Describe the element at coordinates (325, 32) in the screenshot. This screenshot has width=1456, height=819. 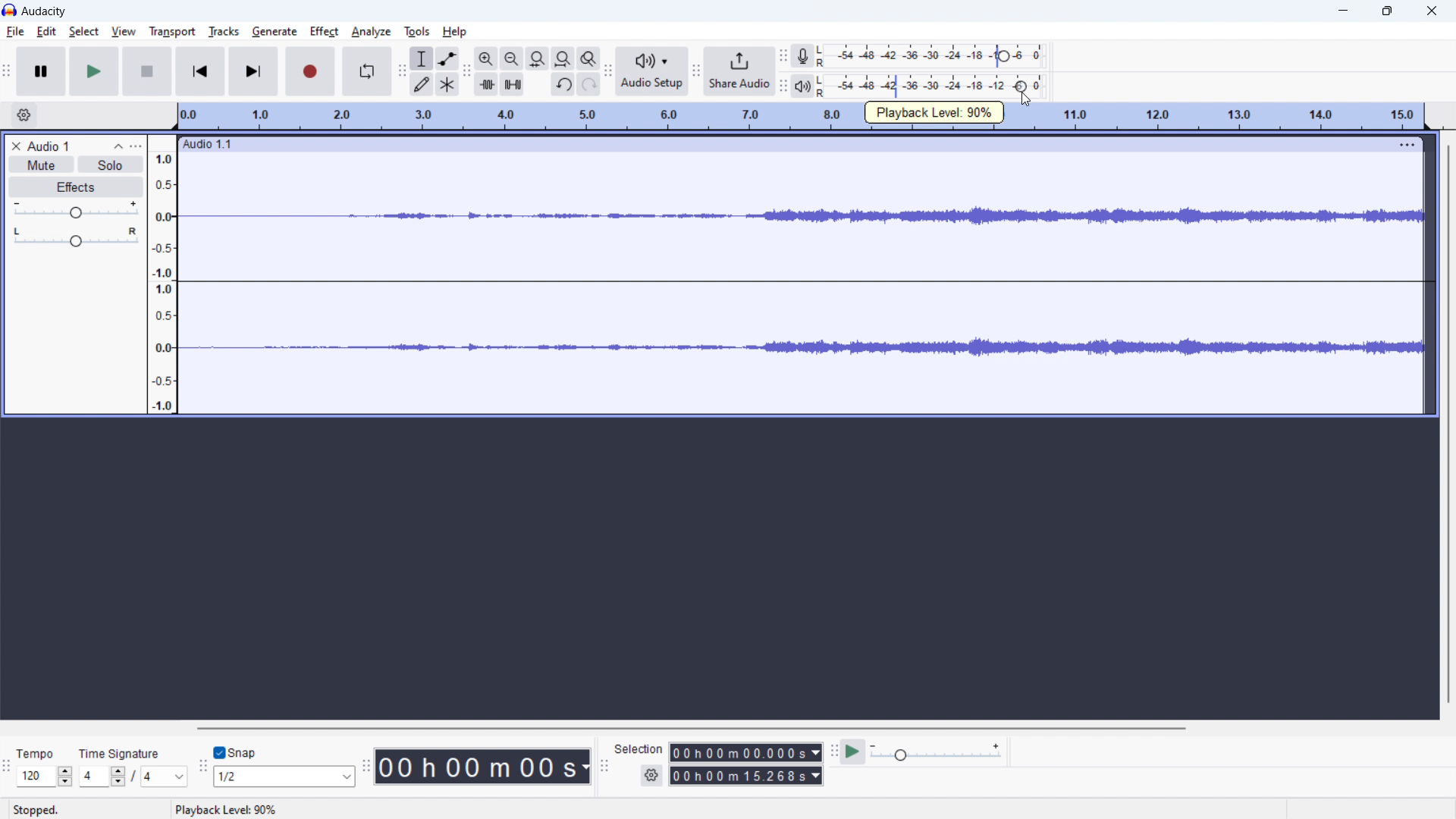
I see `effect` at that location.